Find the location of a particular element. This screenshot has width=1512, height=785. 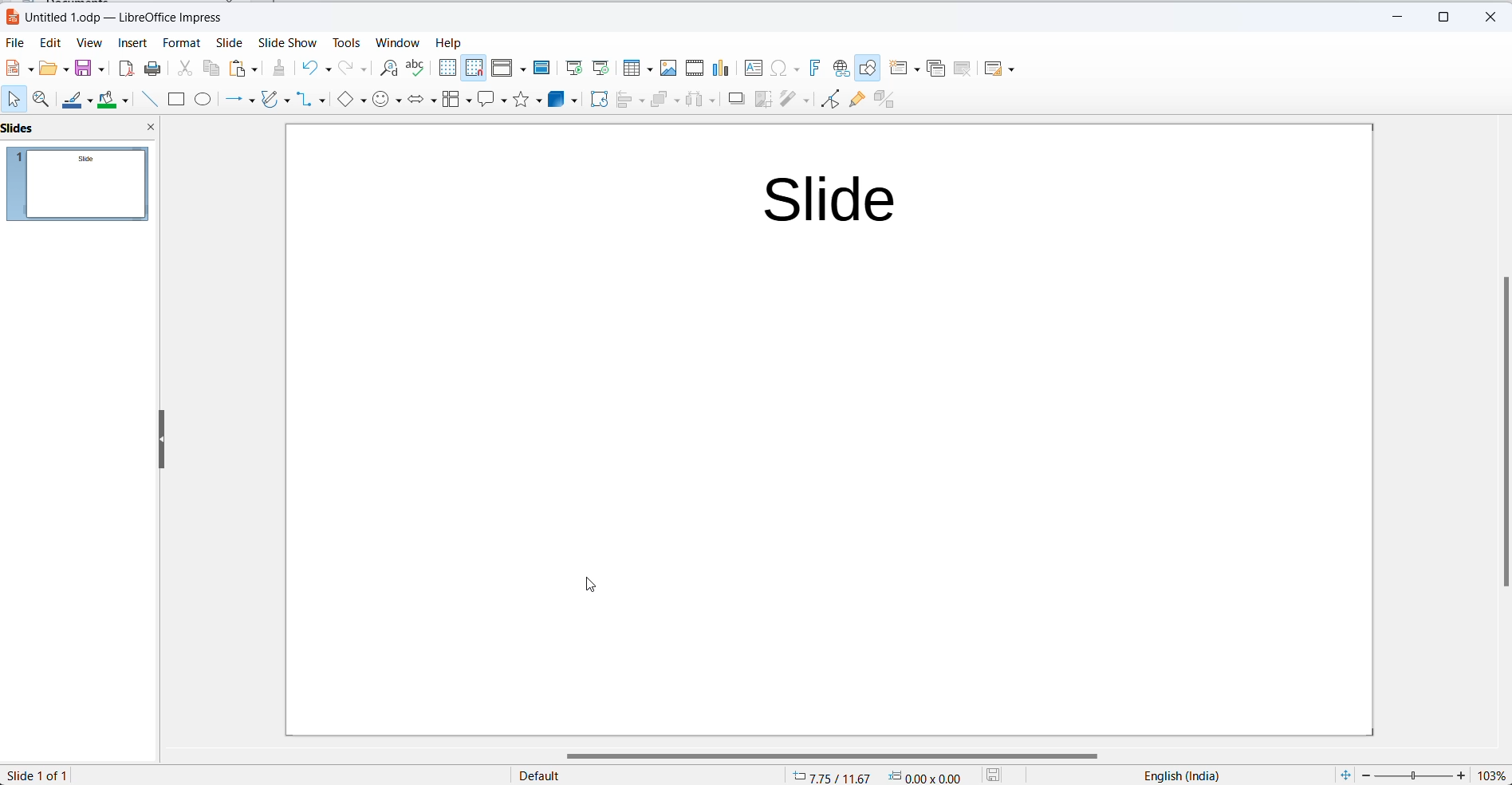

rotate is located at coordinates (597, 101).